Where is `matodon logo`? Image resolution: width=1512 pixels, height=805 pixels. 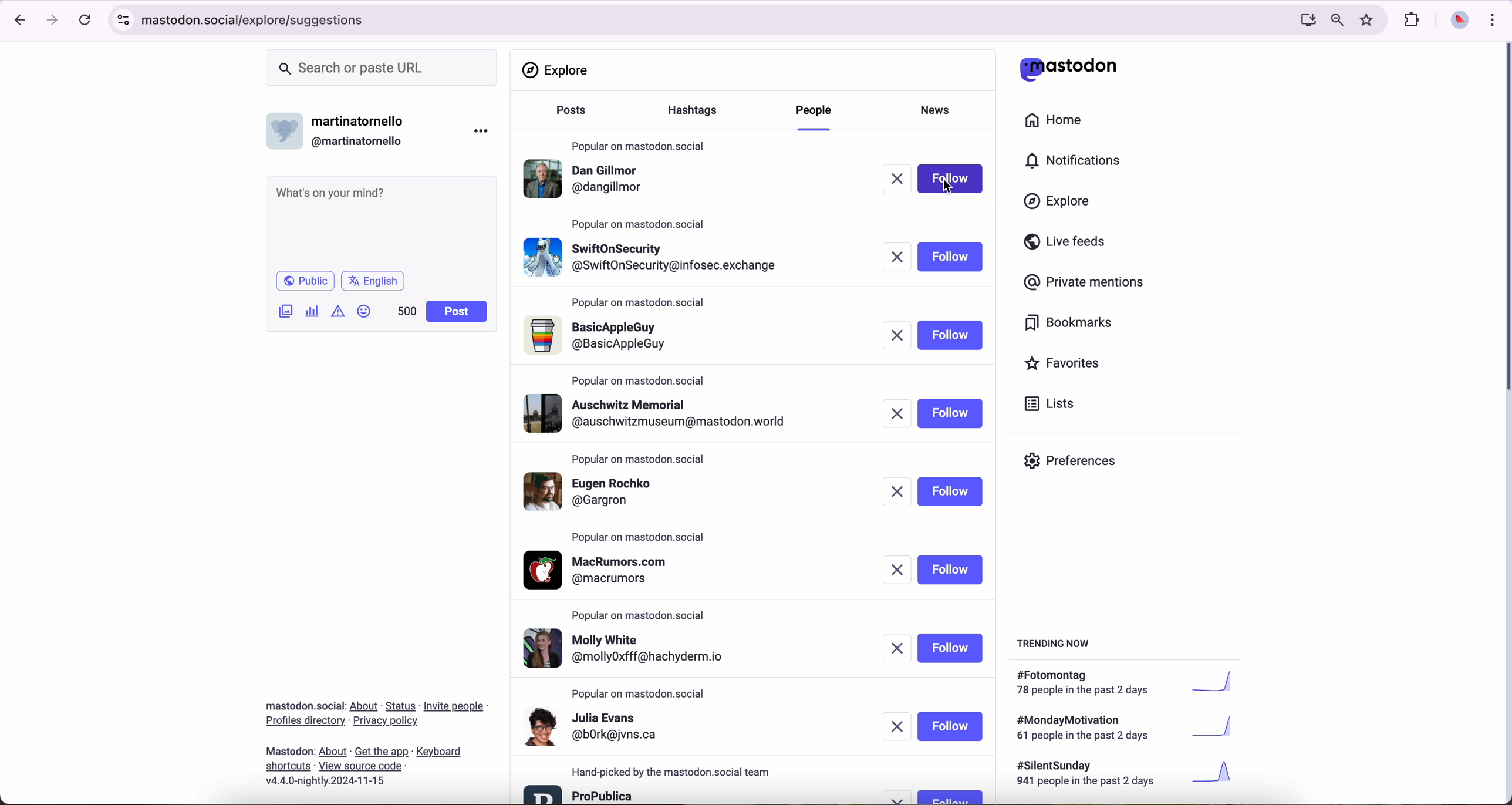 matodon logo is located at coordinates (1069, 69).